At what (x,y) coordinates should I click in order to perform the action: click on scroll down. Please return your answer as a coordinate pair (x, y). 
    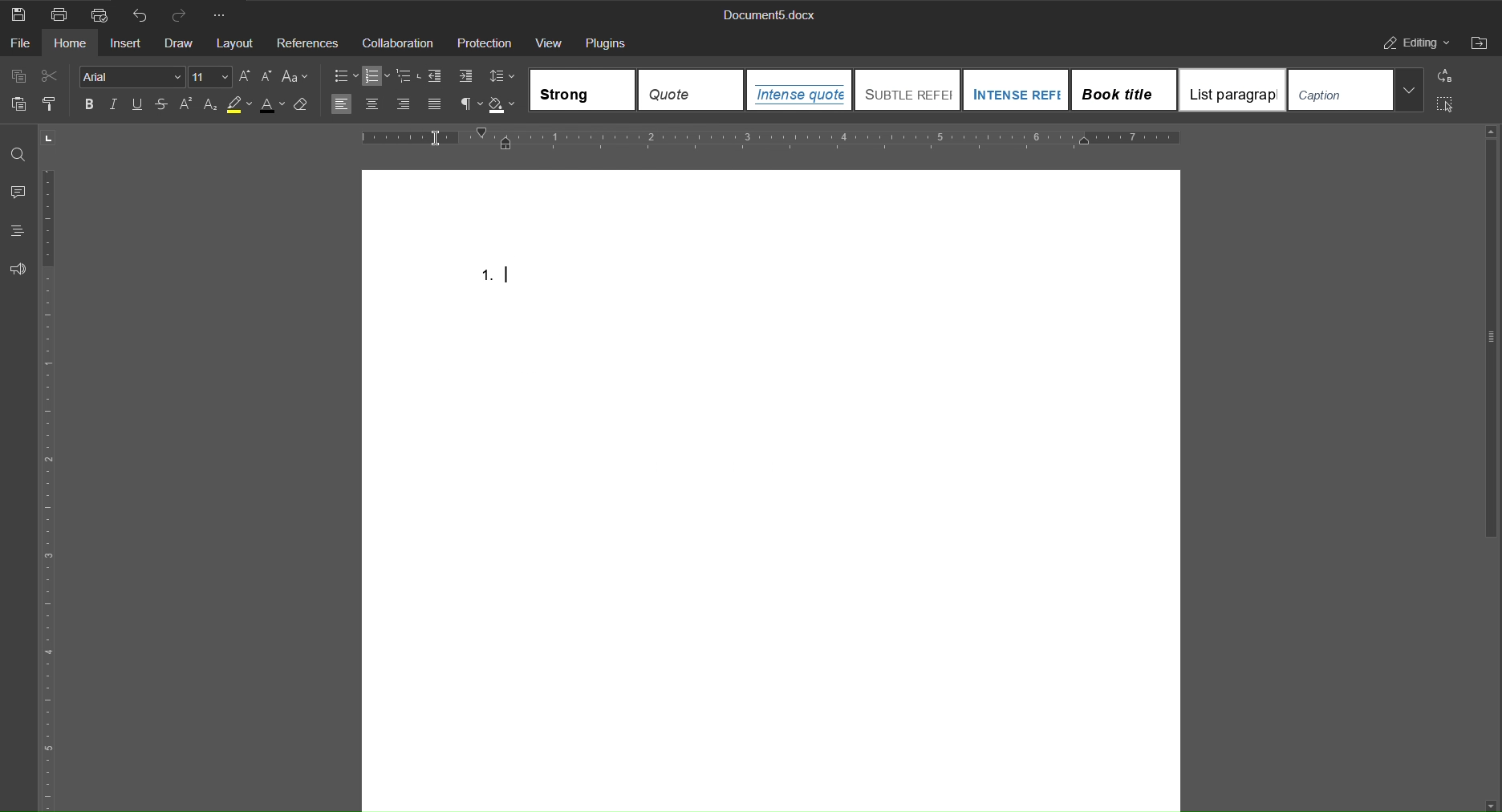
    Looking at the image, I should click on (1489, 805).